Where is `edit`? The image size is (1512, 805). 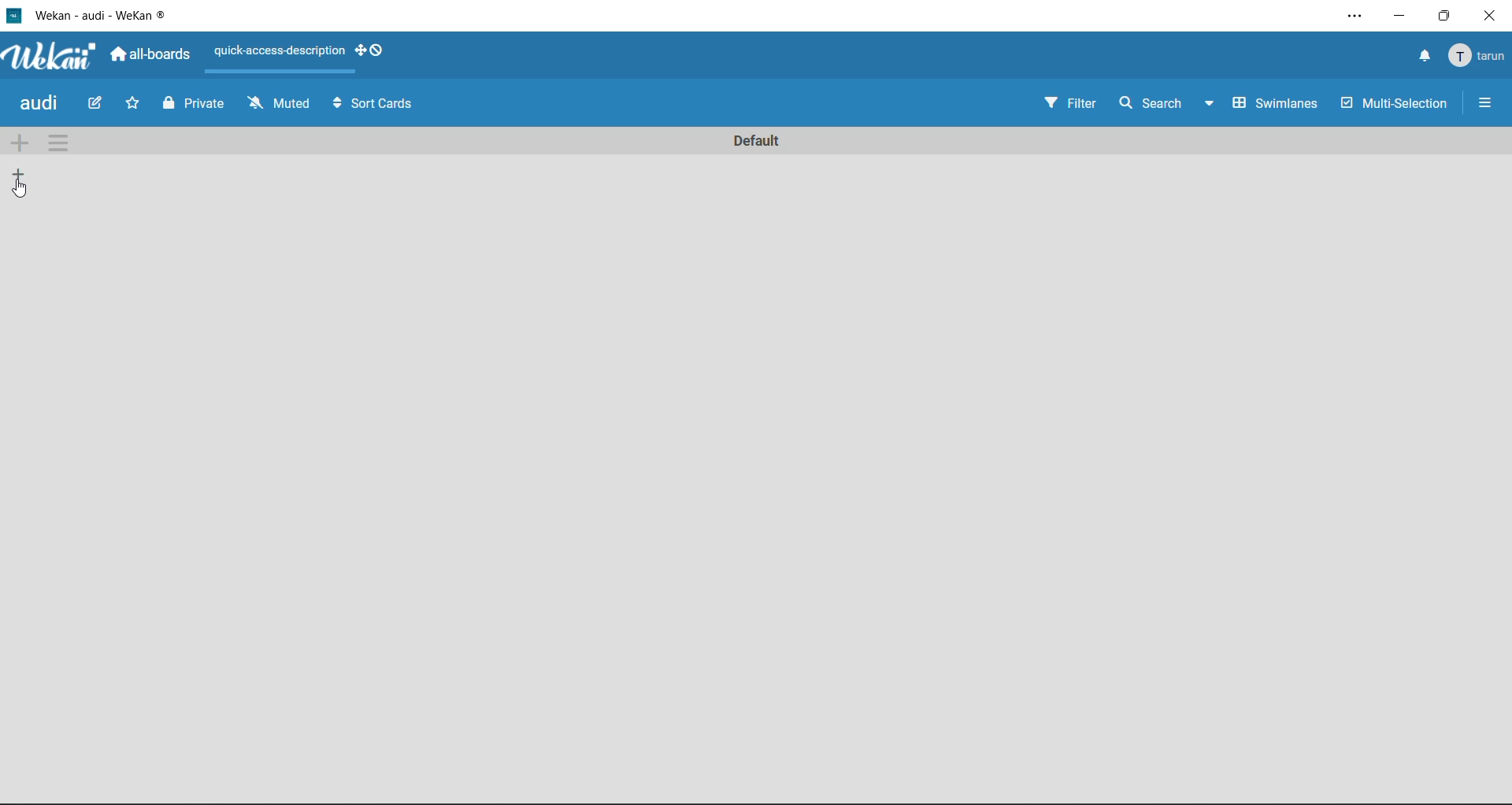
edit is located at coordinates (89, 106).